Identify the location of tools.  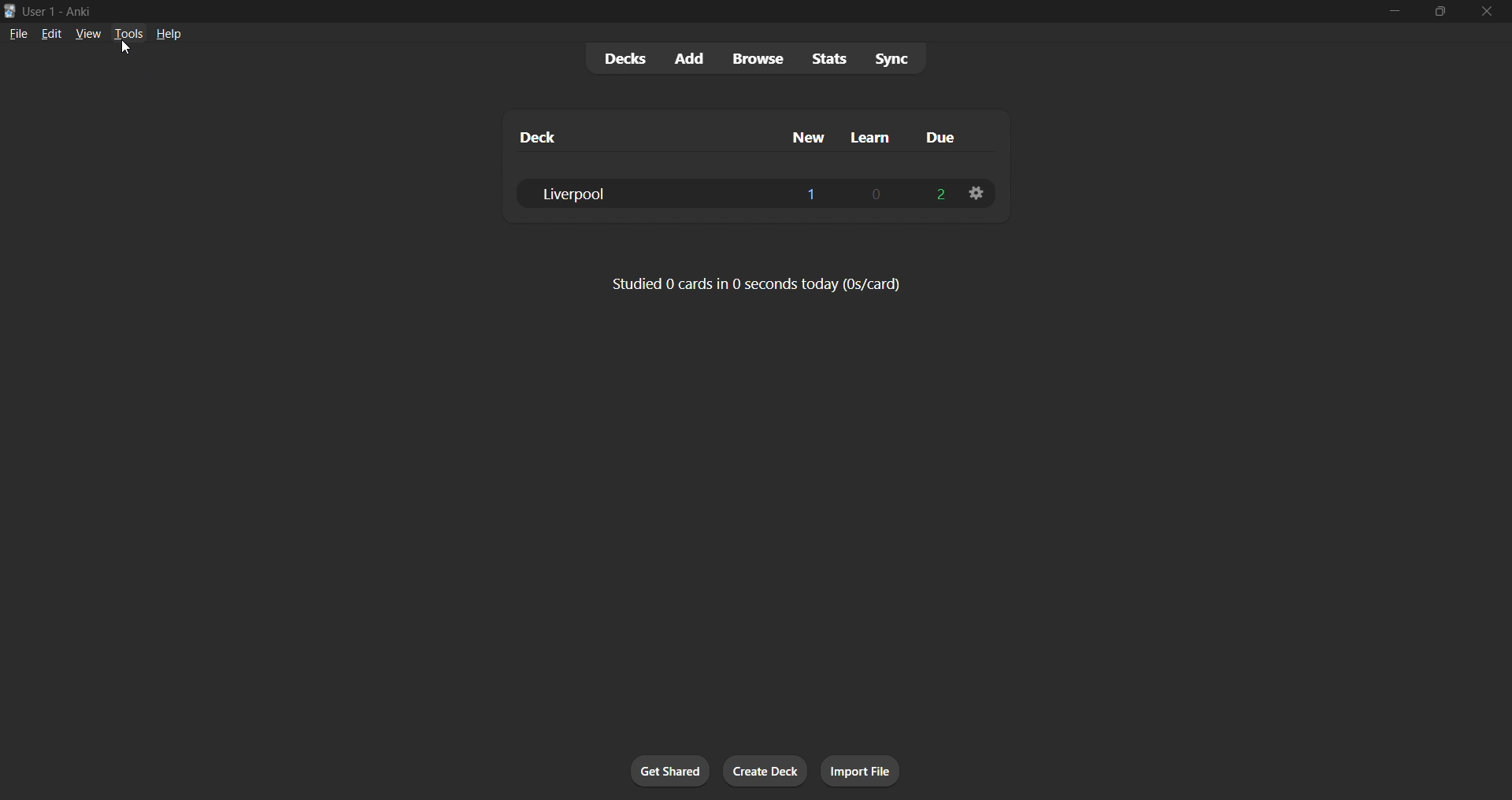
(128, 35).